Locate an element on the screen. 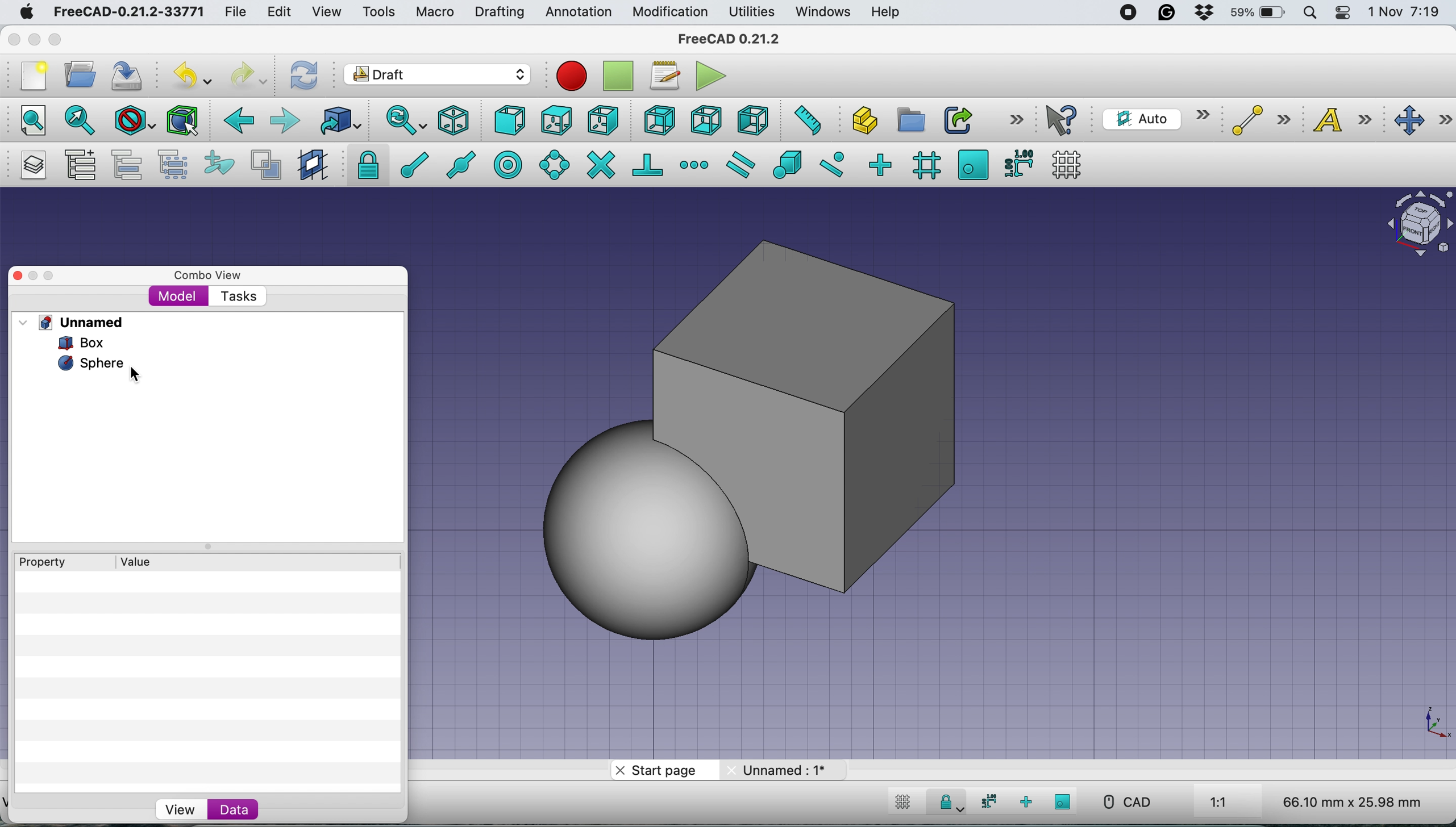 The width and height of the screenshot is (1456, 827). minimise is located at coordinates (33, 39).